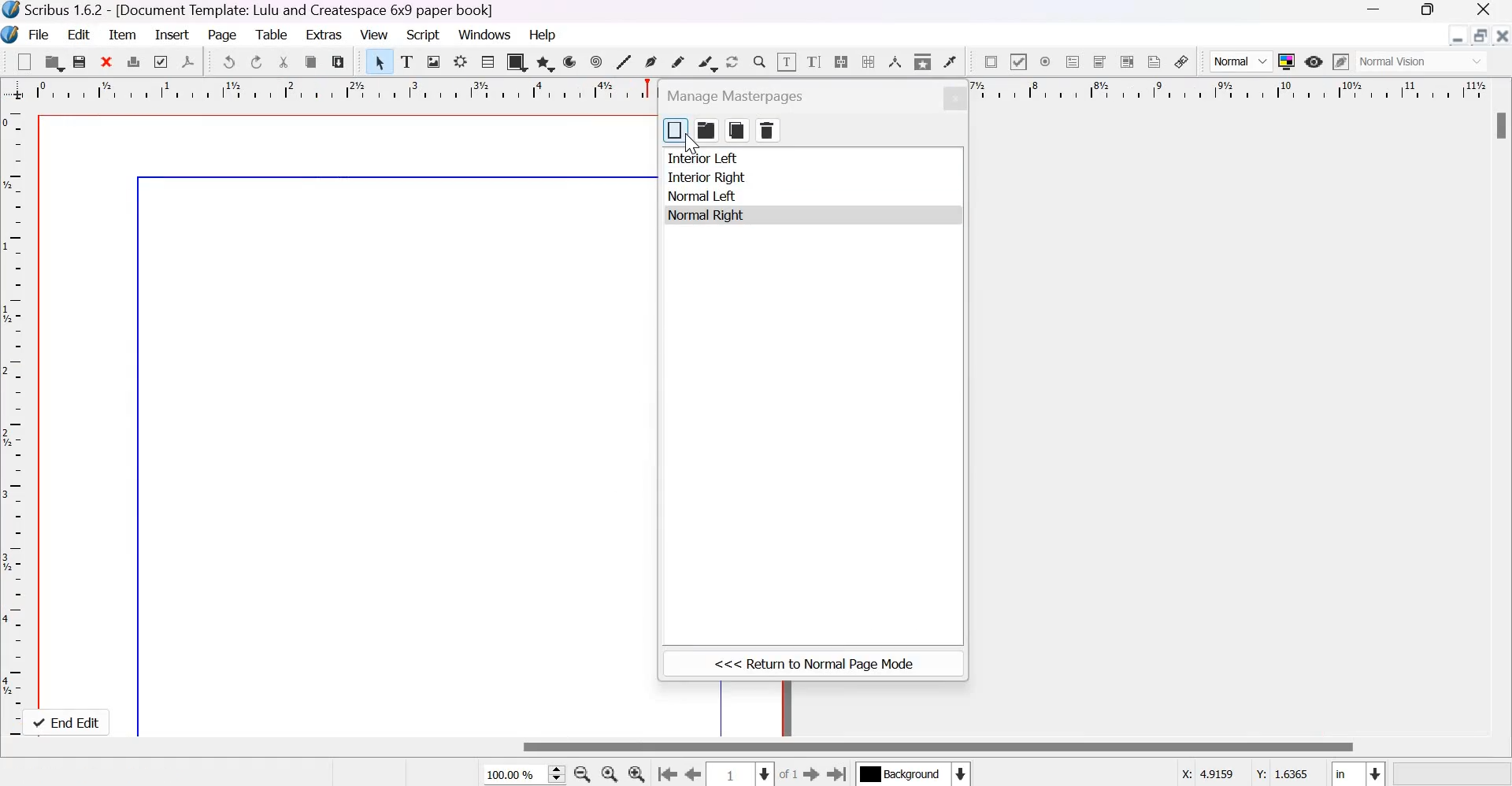  I want to click on normal light, so click(703, 217).